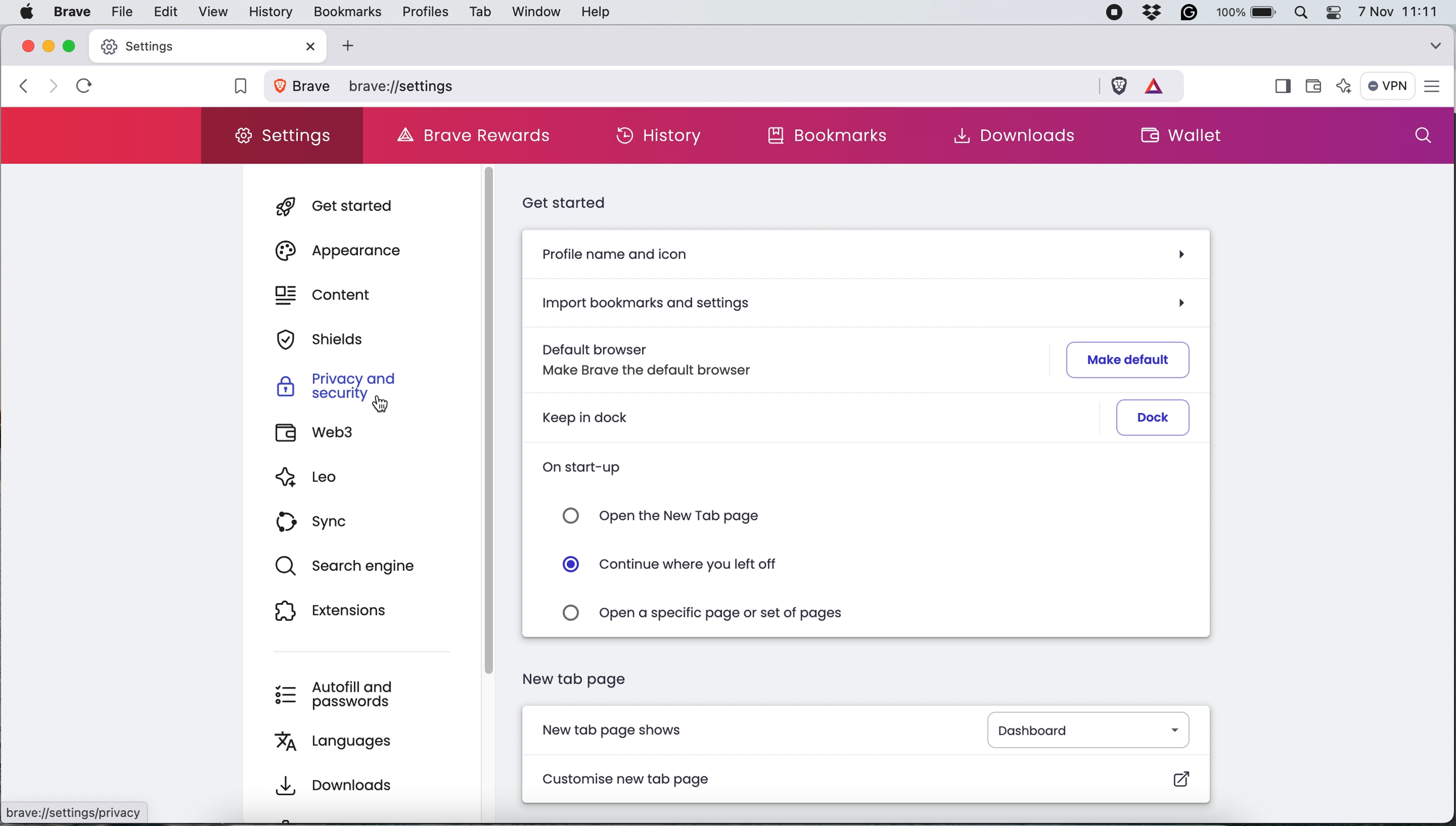  I want to click on default browser, so click(598, 351).